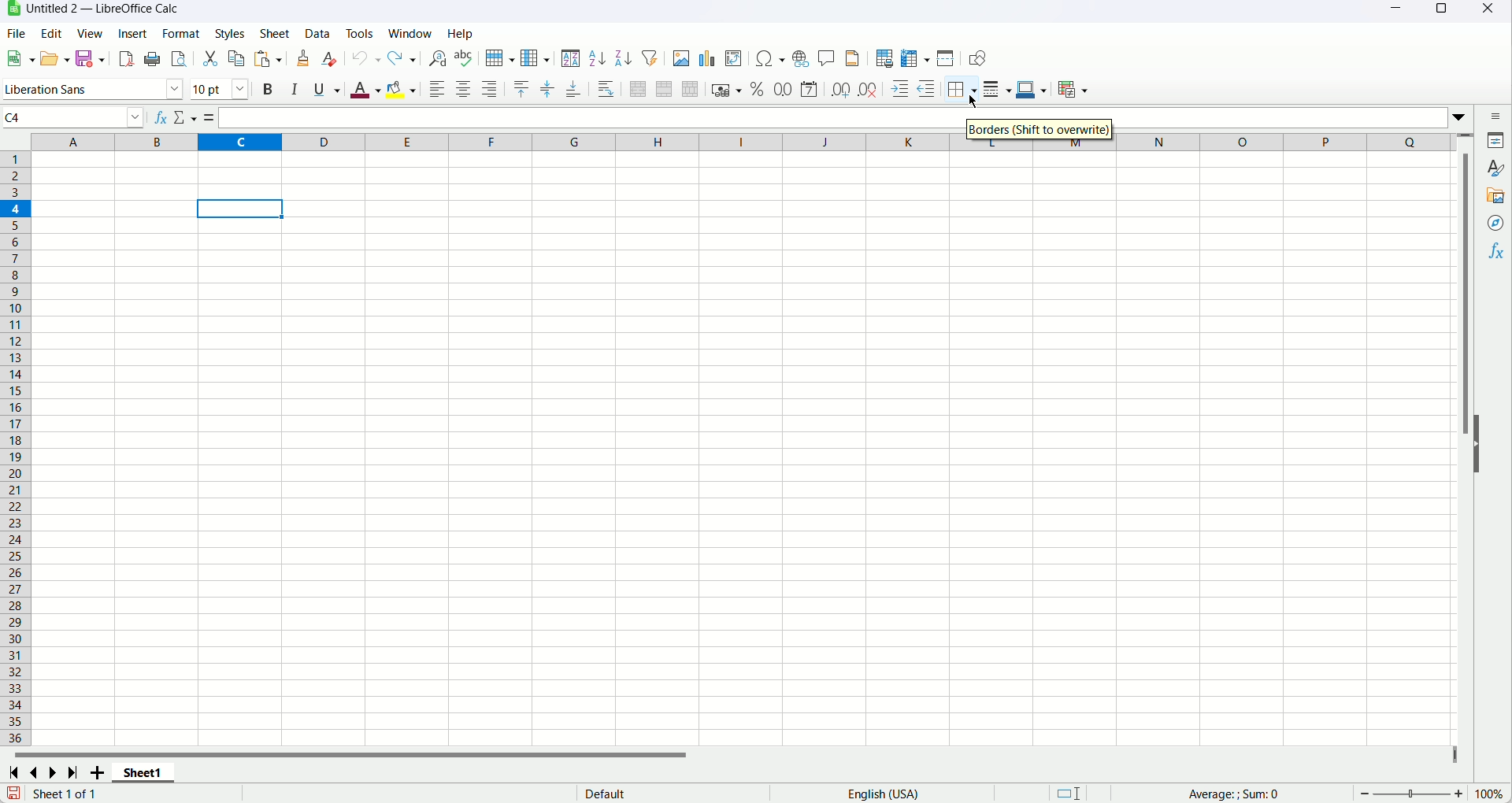  Describe the element at coordinates (89, 59) in the screenshot. I see `Save` at that location.